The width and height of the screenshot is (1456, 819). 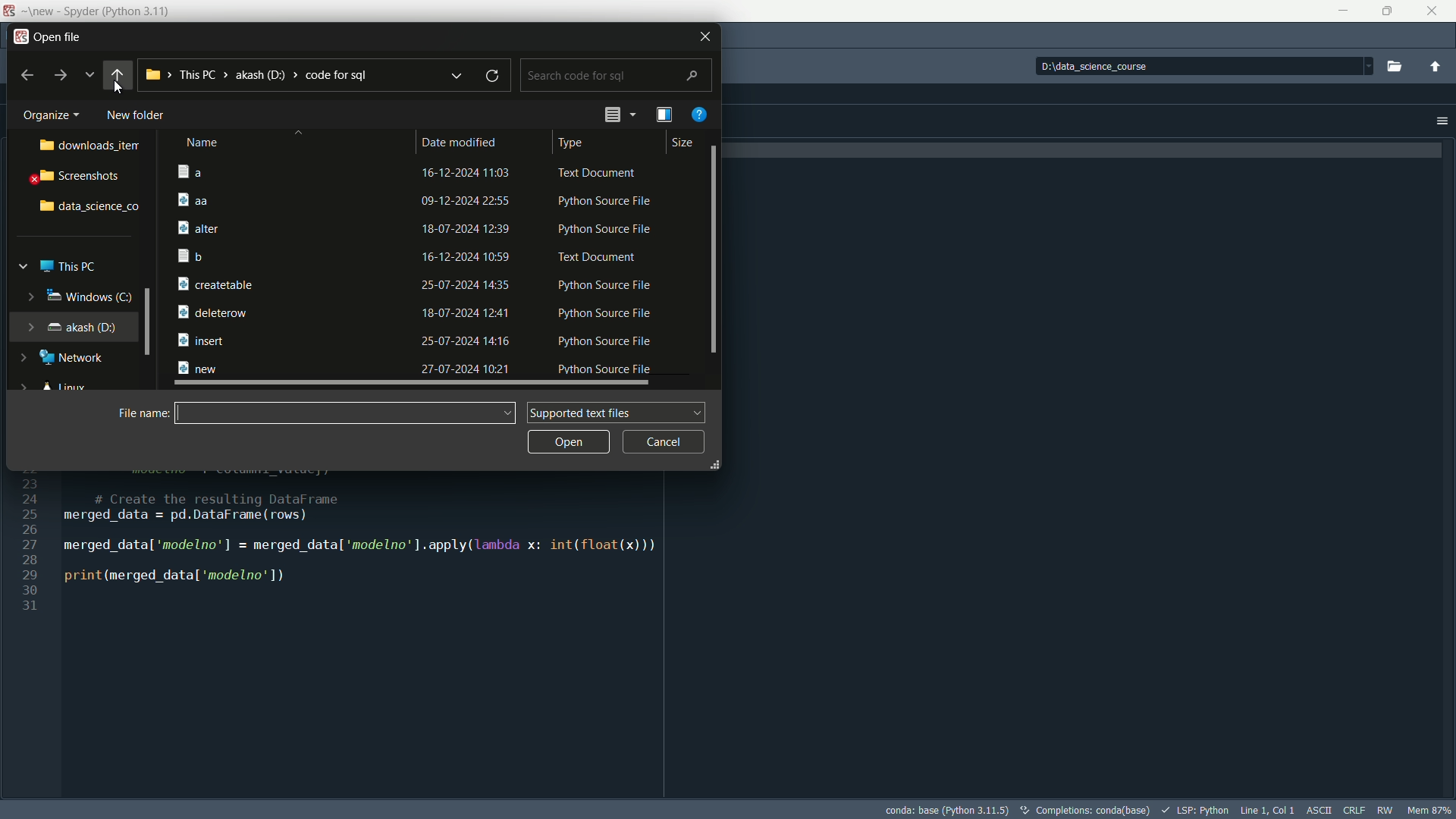 What do you see at coordinates (613, 75) in the screenshot?
I see `search bar` at bounding box center [613, 75].